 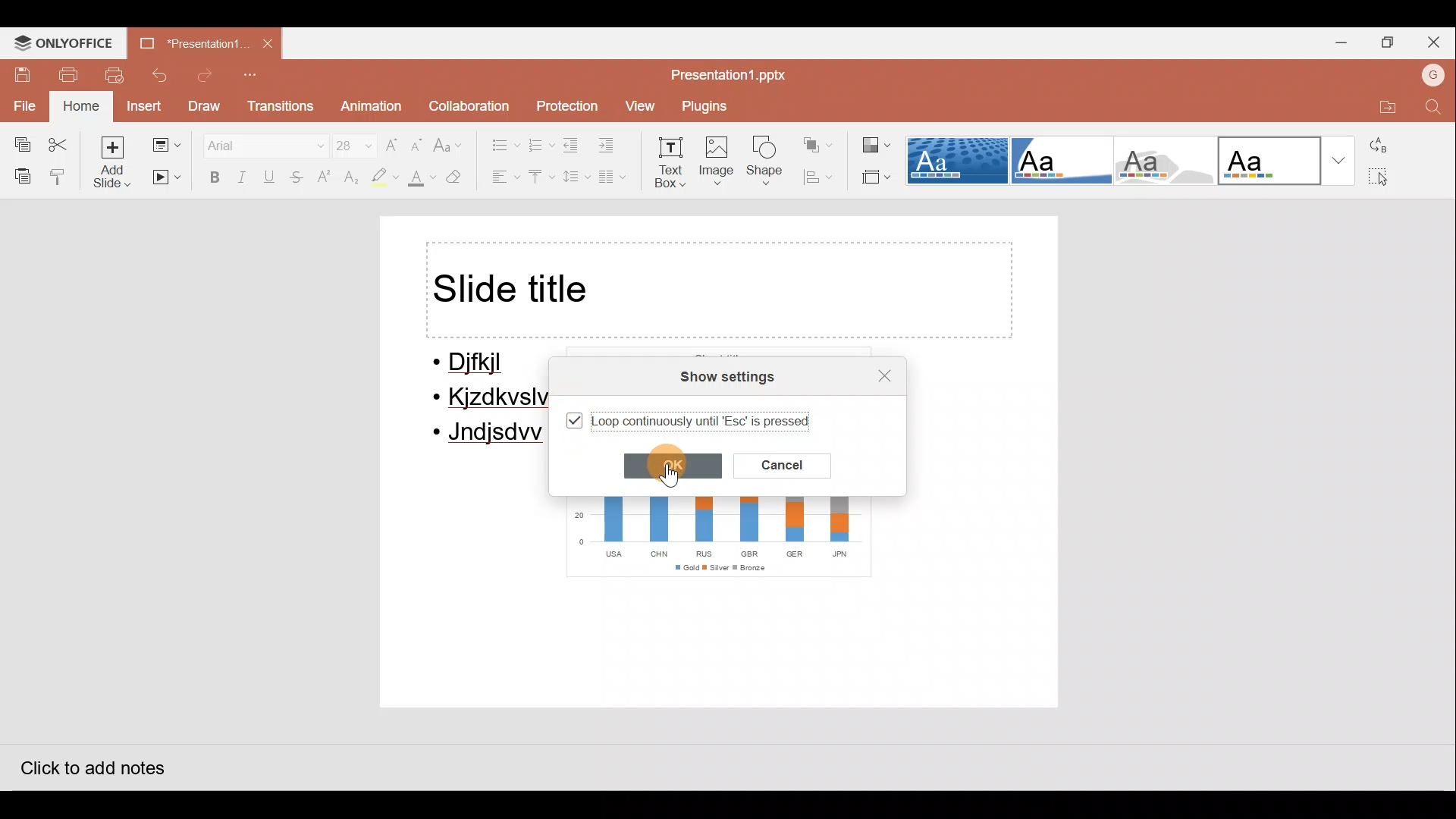 I want to click on Print preview, so click(x=106, y=76).